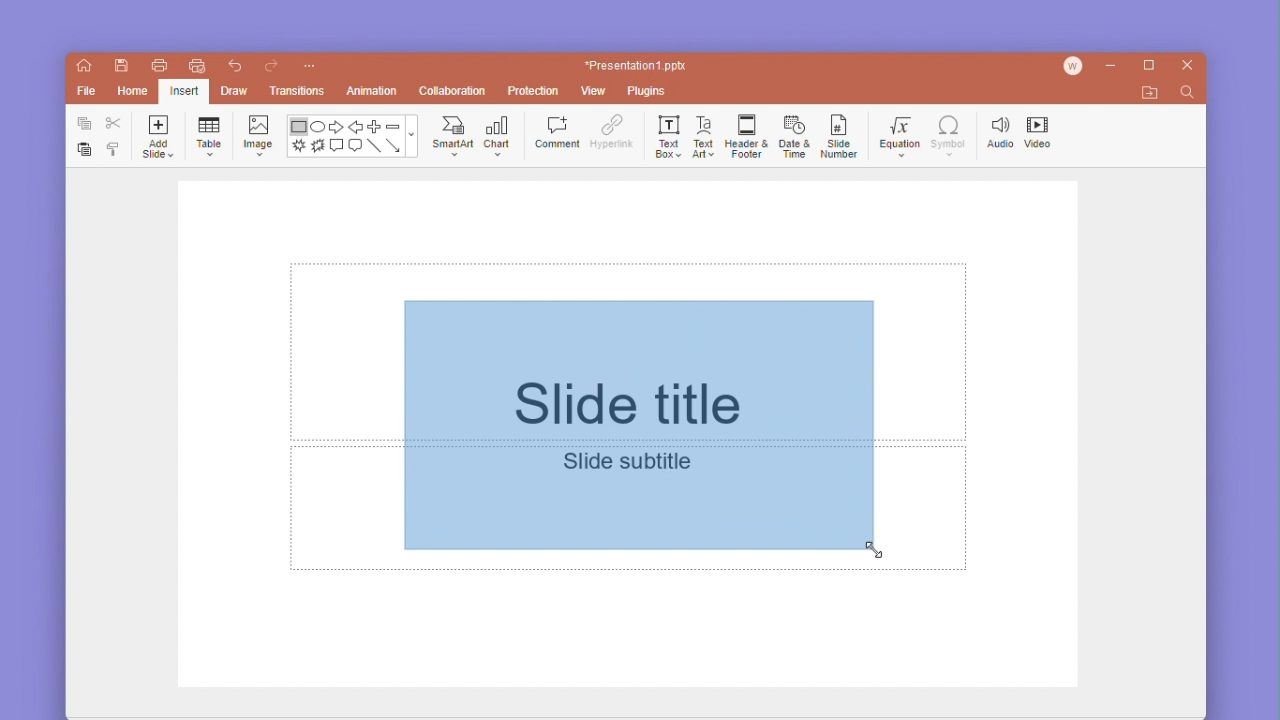  What do you see at coordinates (336, 125) in the screenshot?
I see `forward arrow` at bounding box center [336, 125].